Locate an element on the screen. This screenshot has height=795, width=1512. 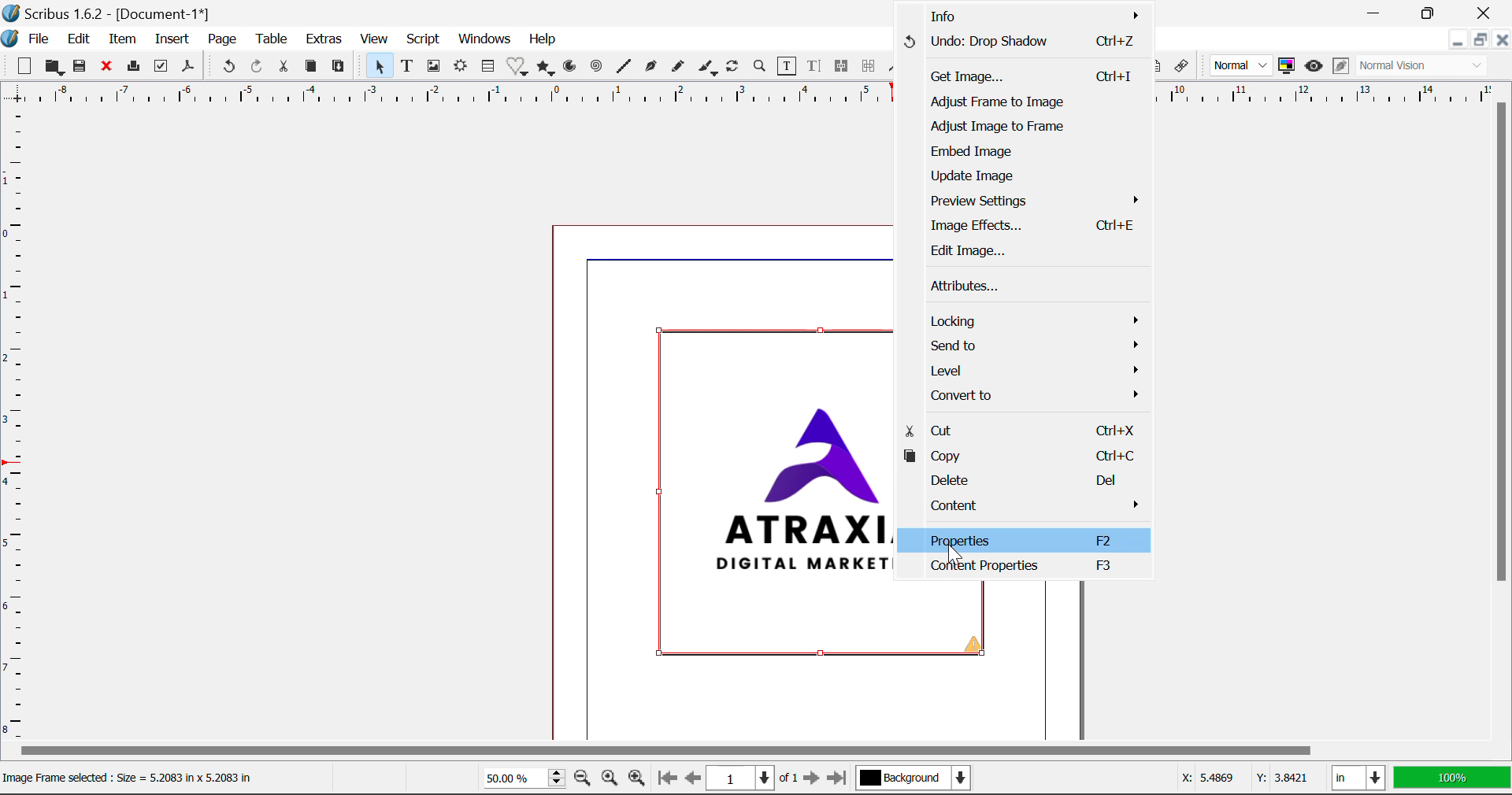
Refresh is located at coordinates (733, 67).